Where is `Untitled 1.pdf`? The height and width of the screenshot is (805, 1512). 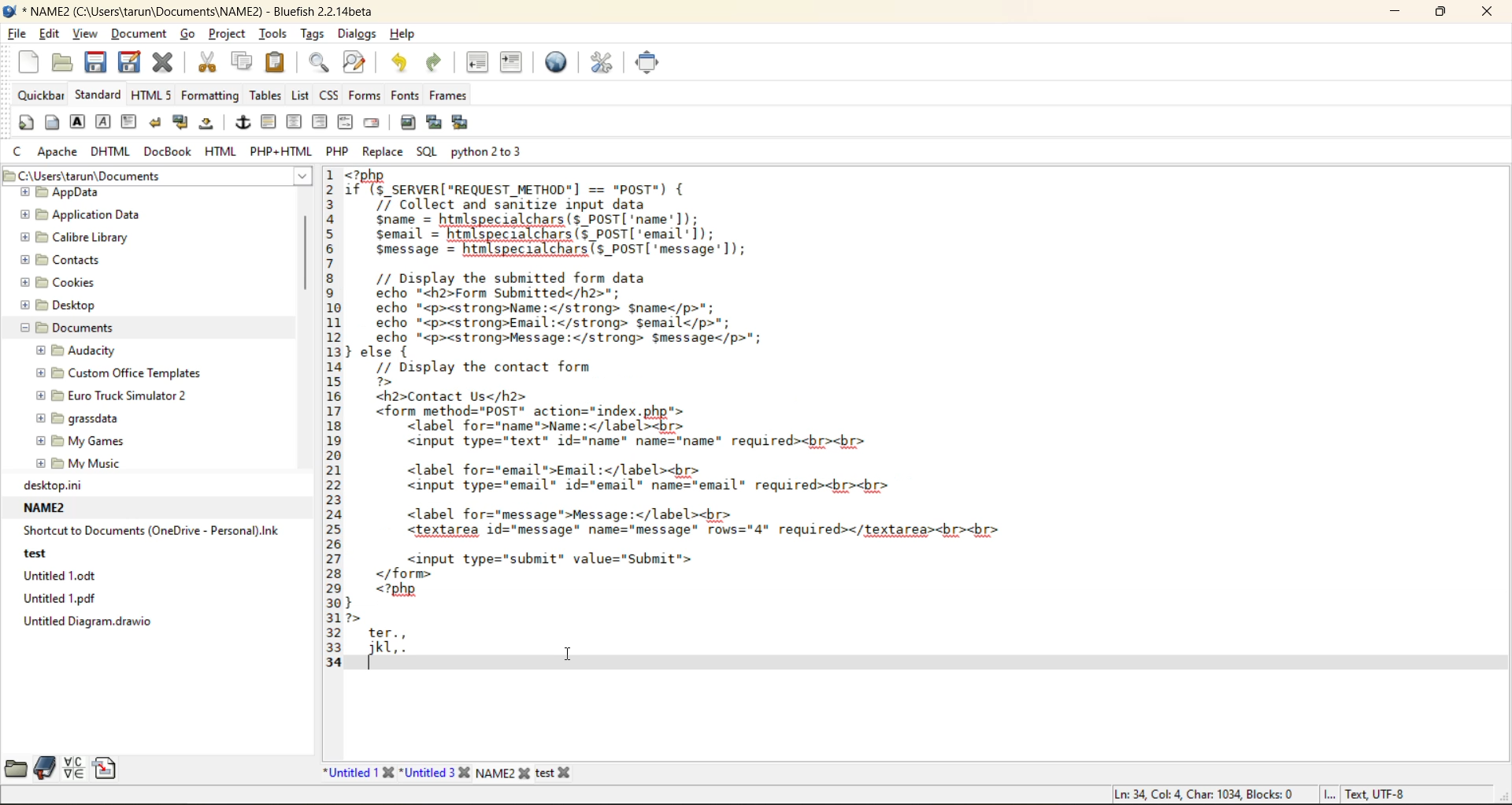
Untitled 1.pdf is located at coordinates (57, 600).